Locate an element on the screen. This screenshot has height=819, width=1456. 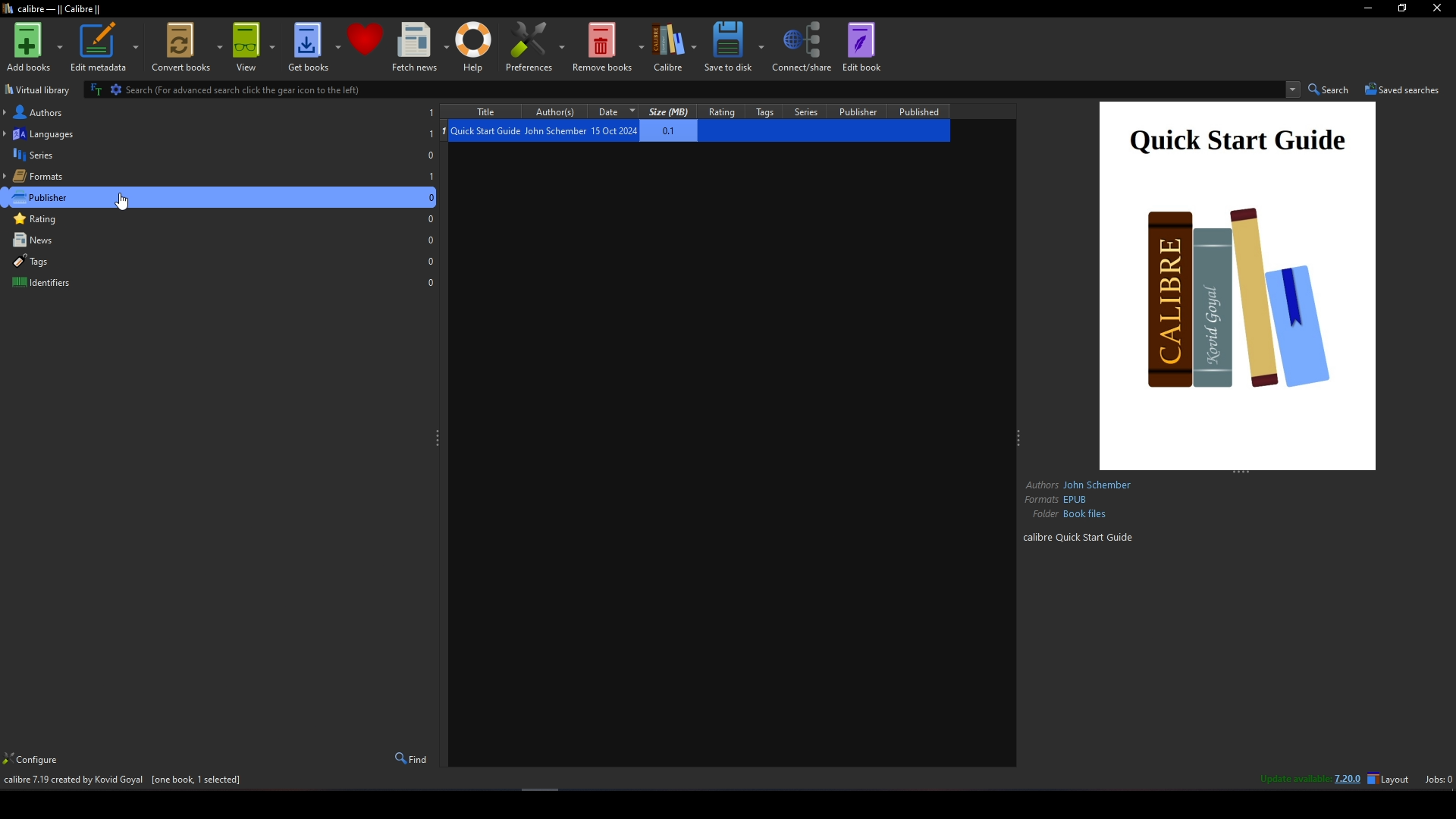
Minimize is located at coordinates (1368, 9).